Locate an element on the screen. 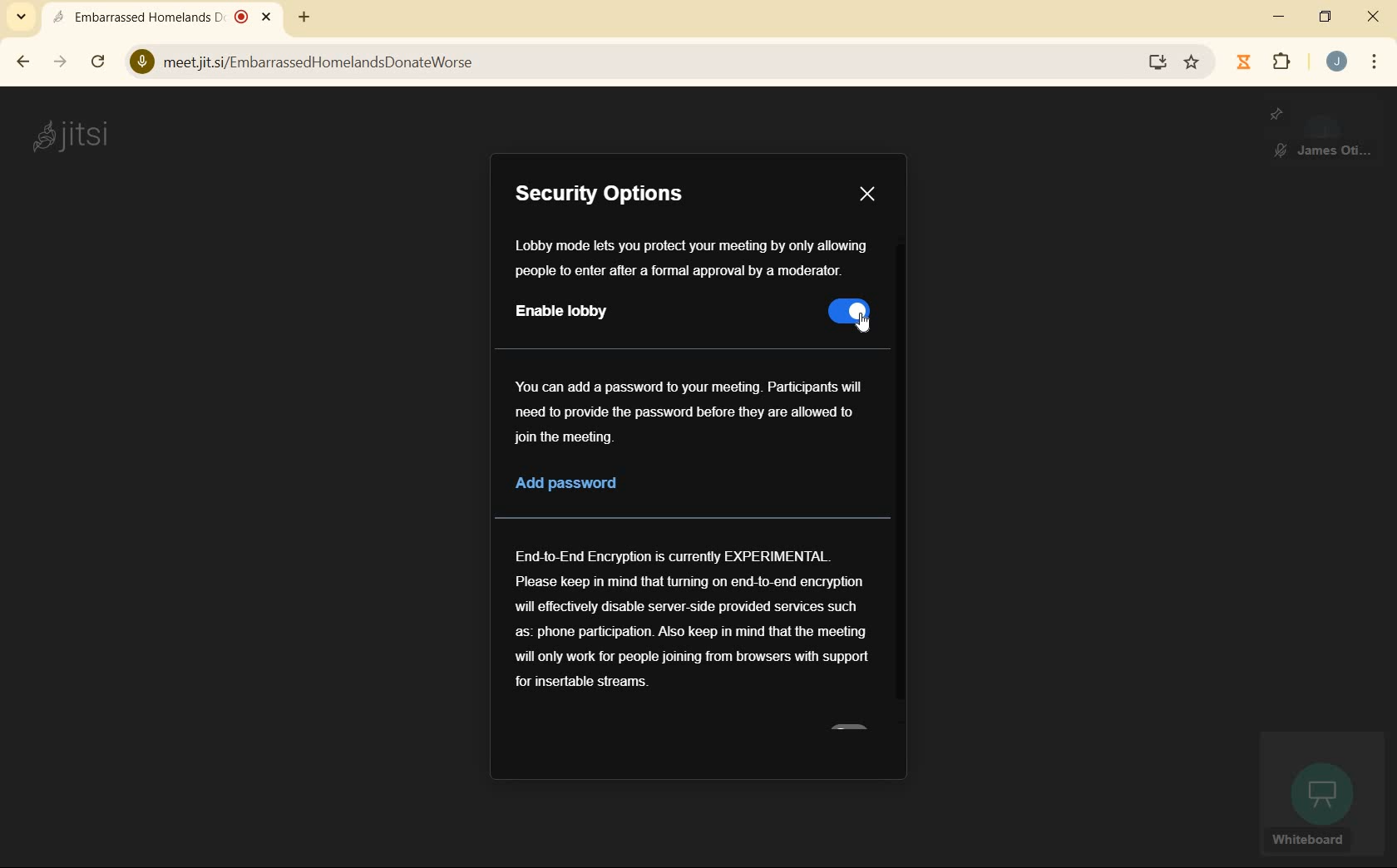 Image resolution: width=1397 pixels, height=868 pixels. meeting locked via enable lobby is located at coordinates (847, 313).